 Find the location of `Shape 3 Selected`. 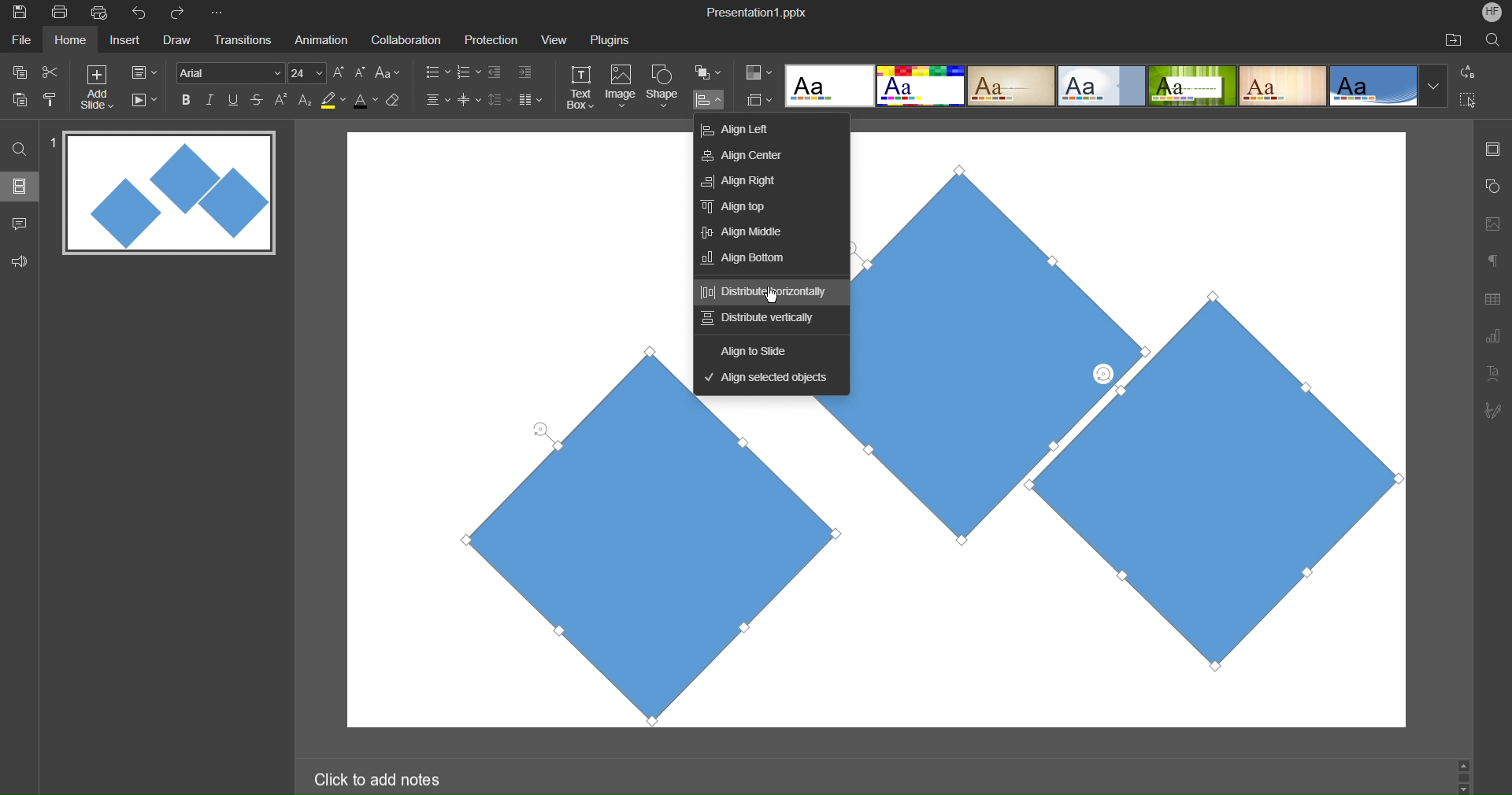

Shape 3 Selected is located at coordinates (1280, 534).